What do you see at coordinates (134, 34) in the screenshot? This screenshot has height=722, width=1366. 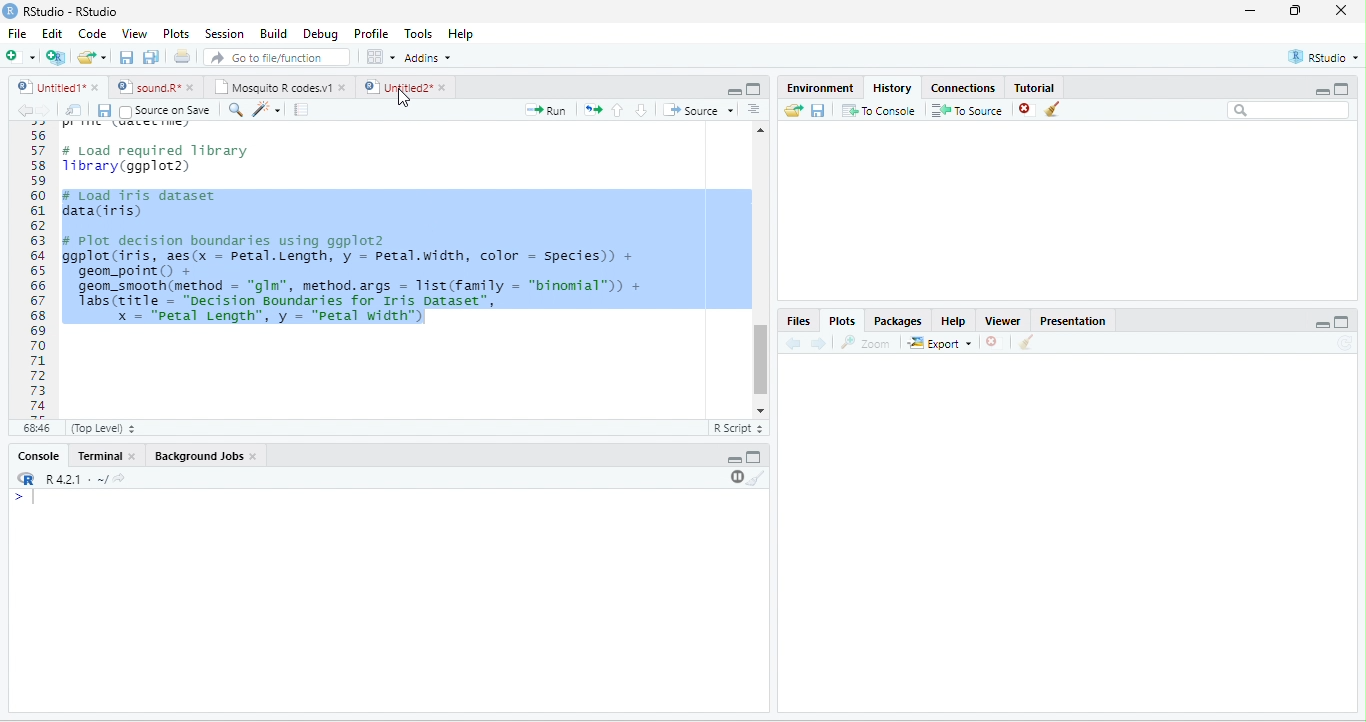 I see `View` at bounding box center [134, 34].